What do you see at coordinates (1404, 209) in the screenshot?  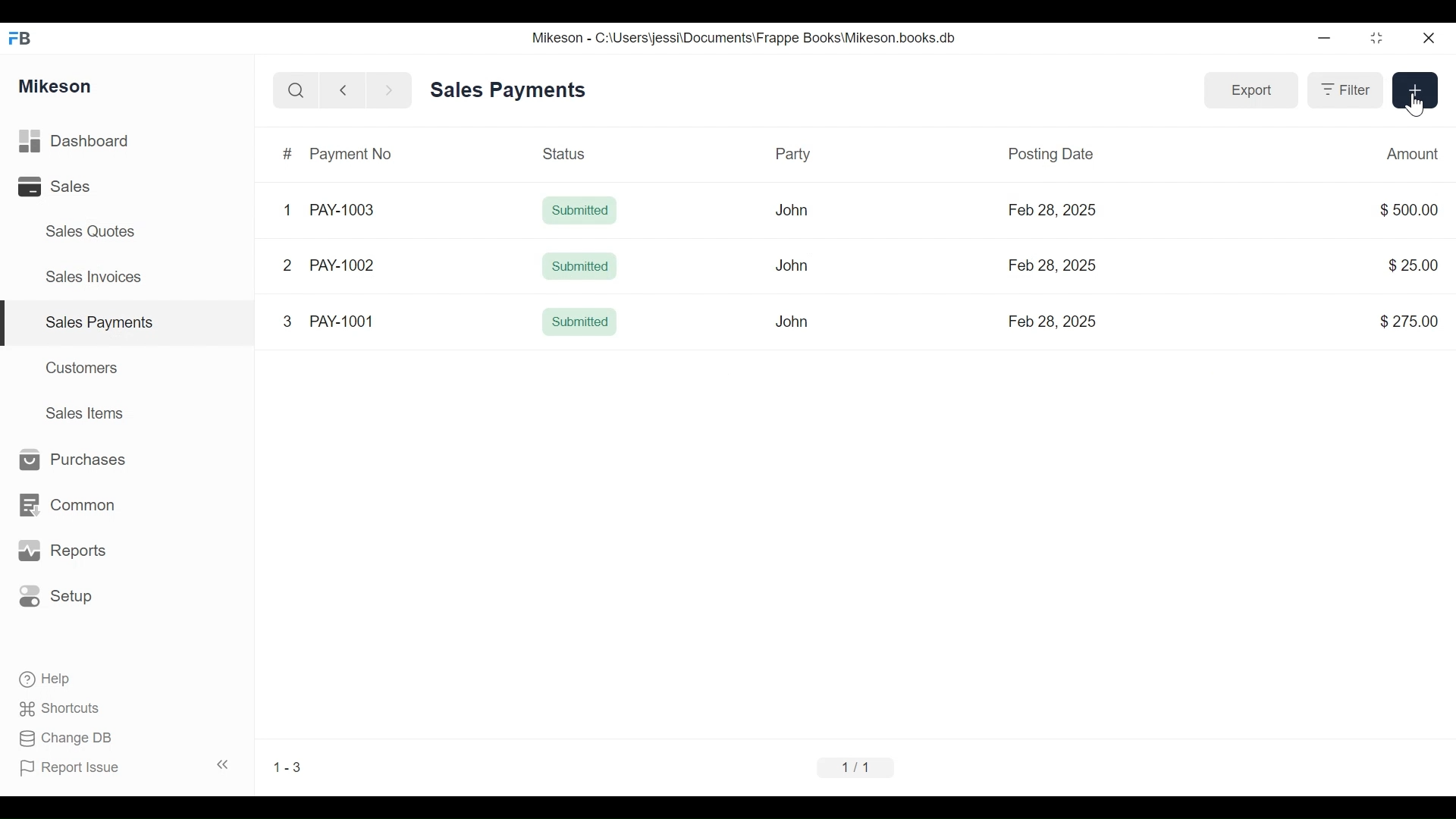 I see `$500.00` at bounding box center [1404, 209].